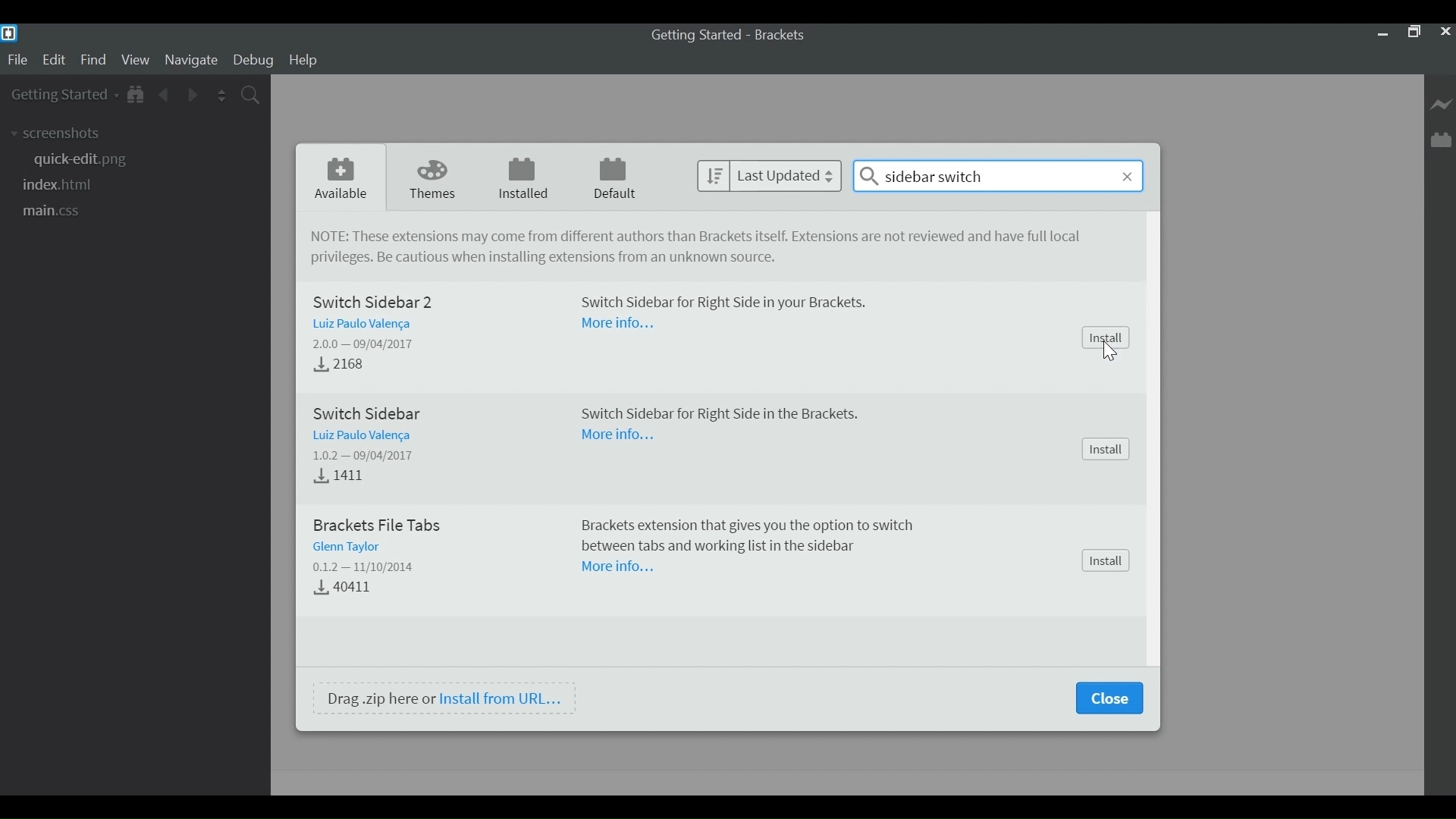 The image size is (1456, 819). Describe the element at coordinates (1414, 33) in the screenshot. I see `Restore` at that location.